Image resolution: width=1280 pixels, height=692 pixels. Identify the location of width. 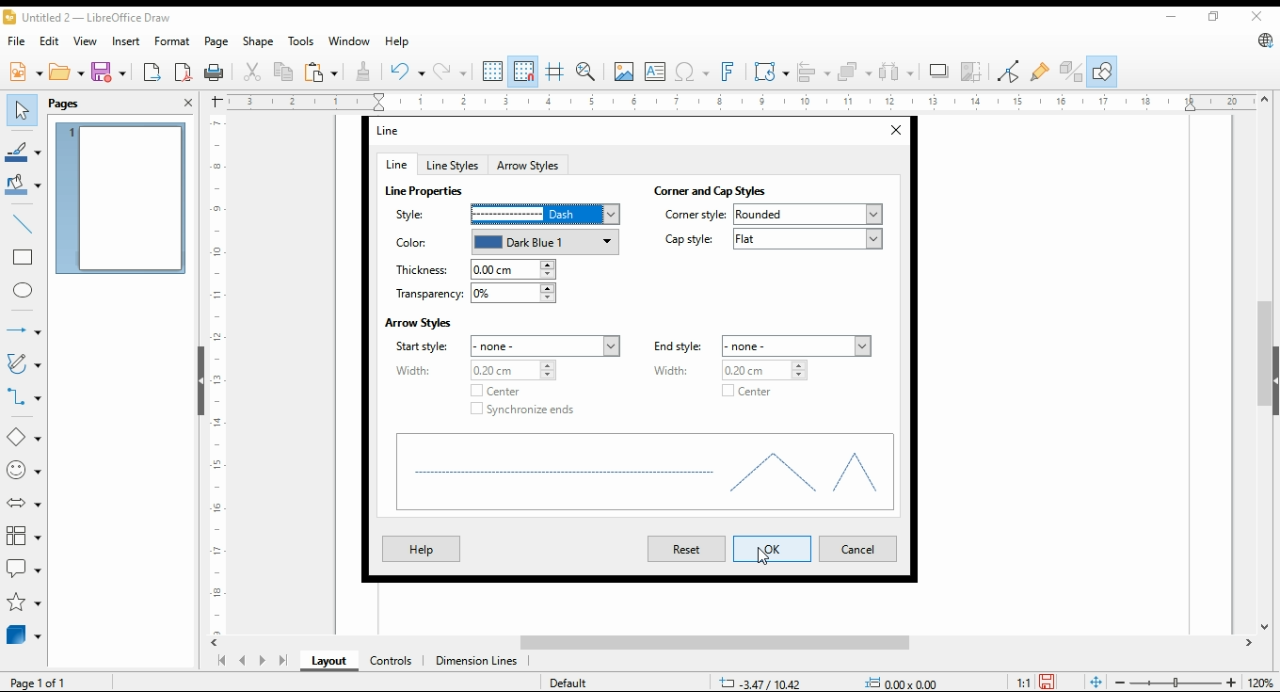
(473, 370).